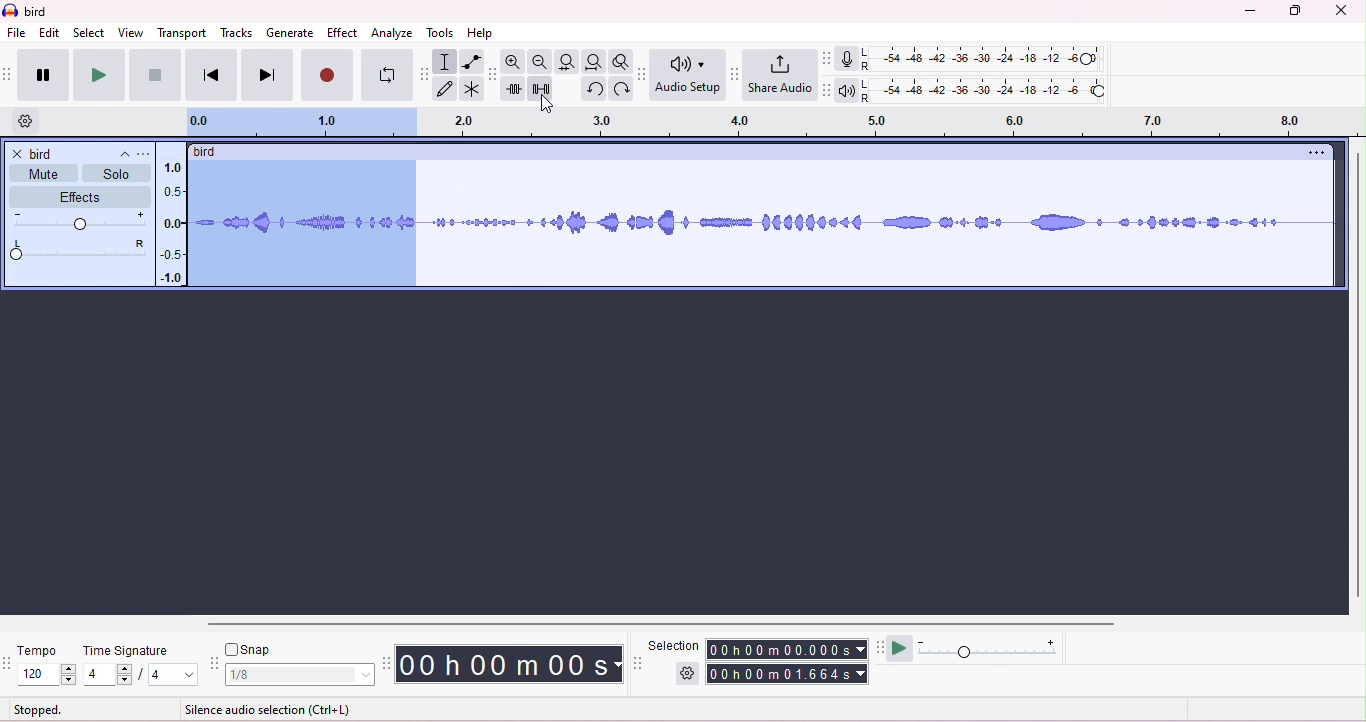 This screenshot has width=1366, height=722. I want to click on selection tool, so click(640, 663).